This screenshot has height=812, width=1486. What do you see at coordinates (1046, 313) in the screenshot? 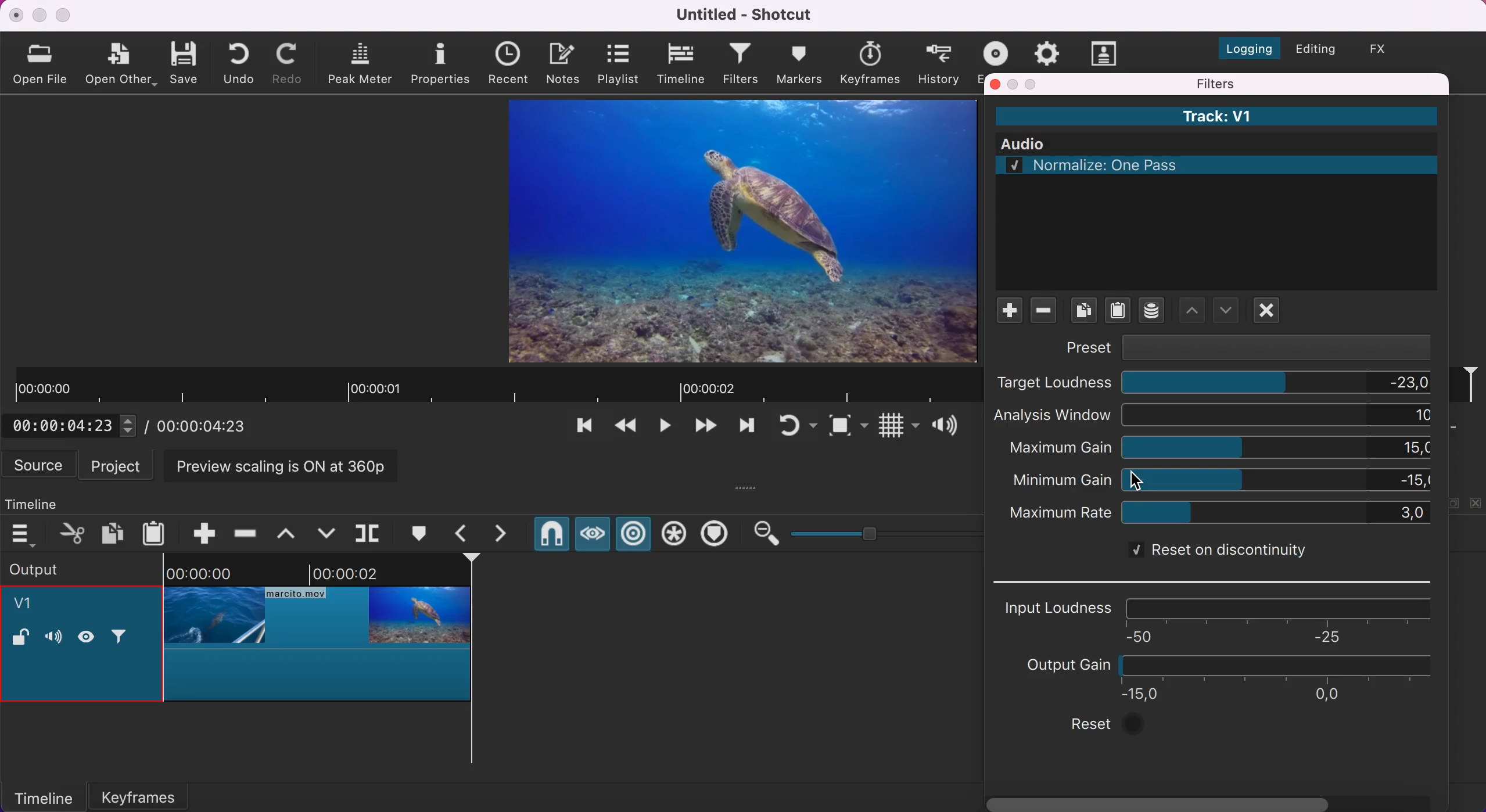
I see `remove` at bounding box center [1046, 313].